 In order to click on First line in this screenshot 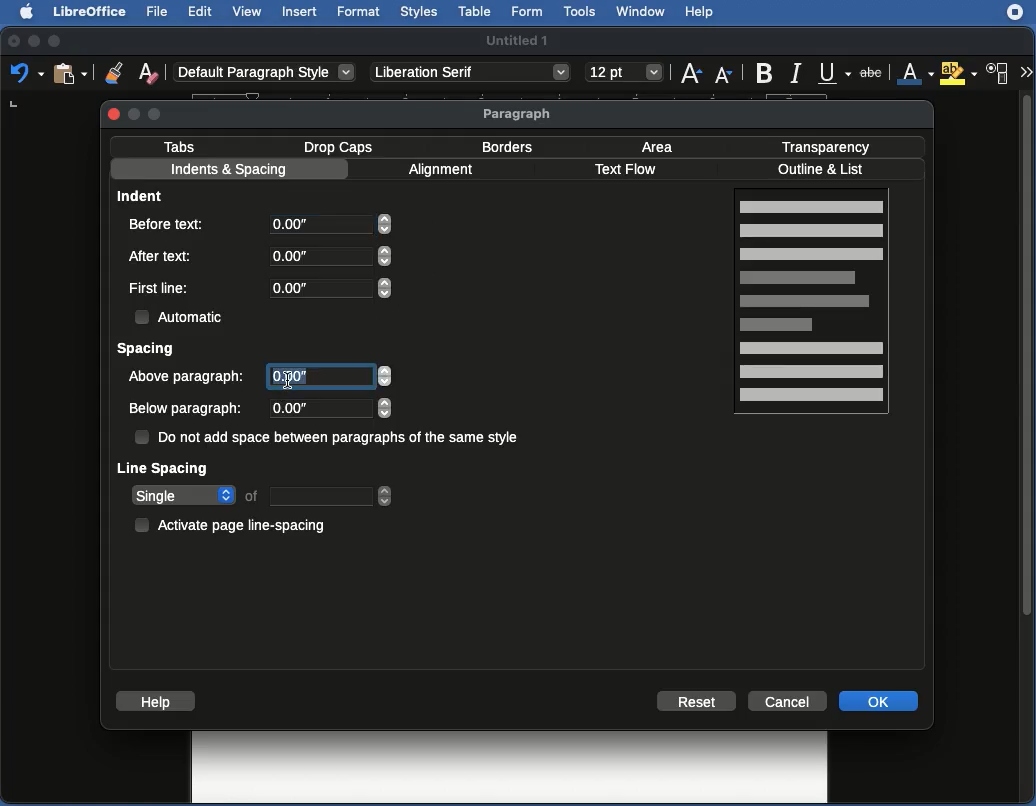, I will do `click(161, 289)`.